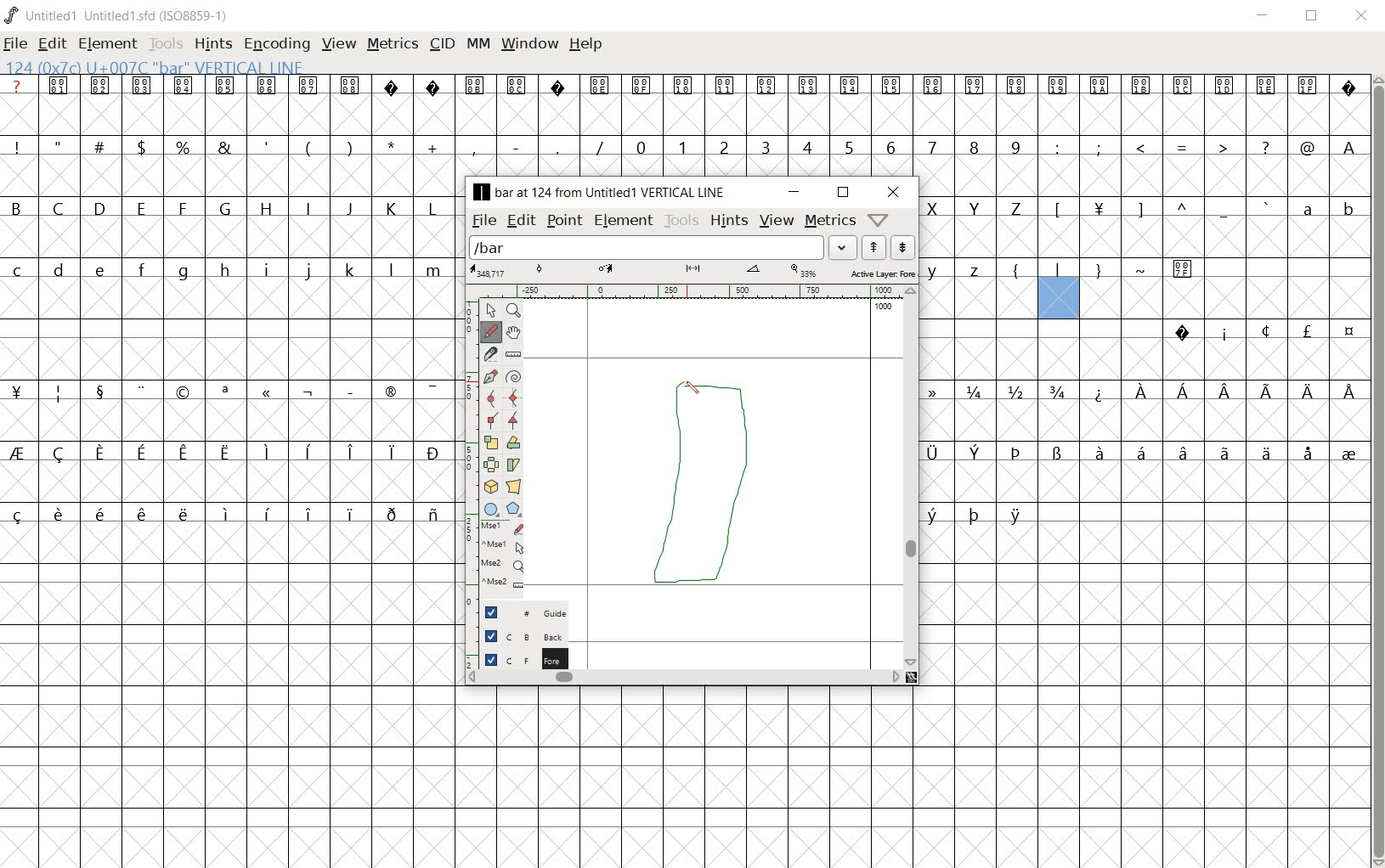 This screenshot has width=1385, height=868. What do you see at coordinates (517, 613) in the screenshot?
I see `guide` at bounding box center [517, 613].